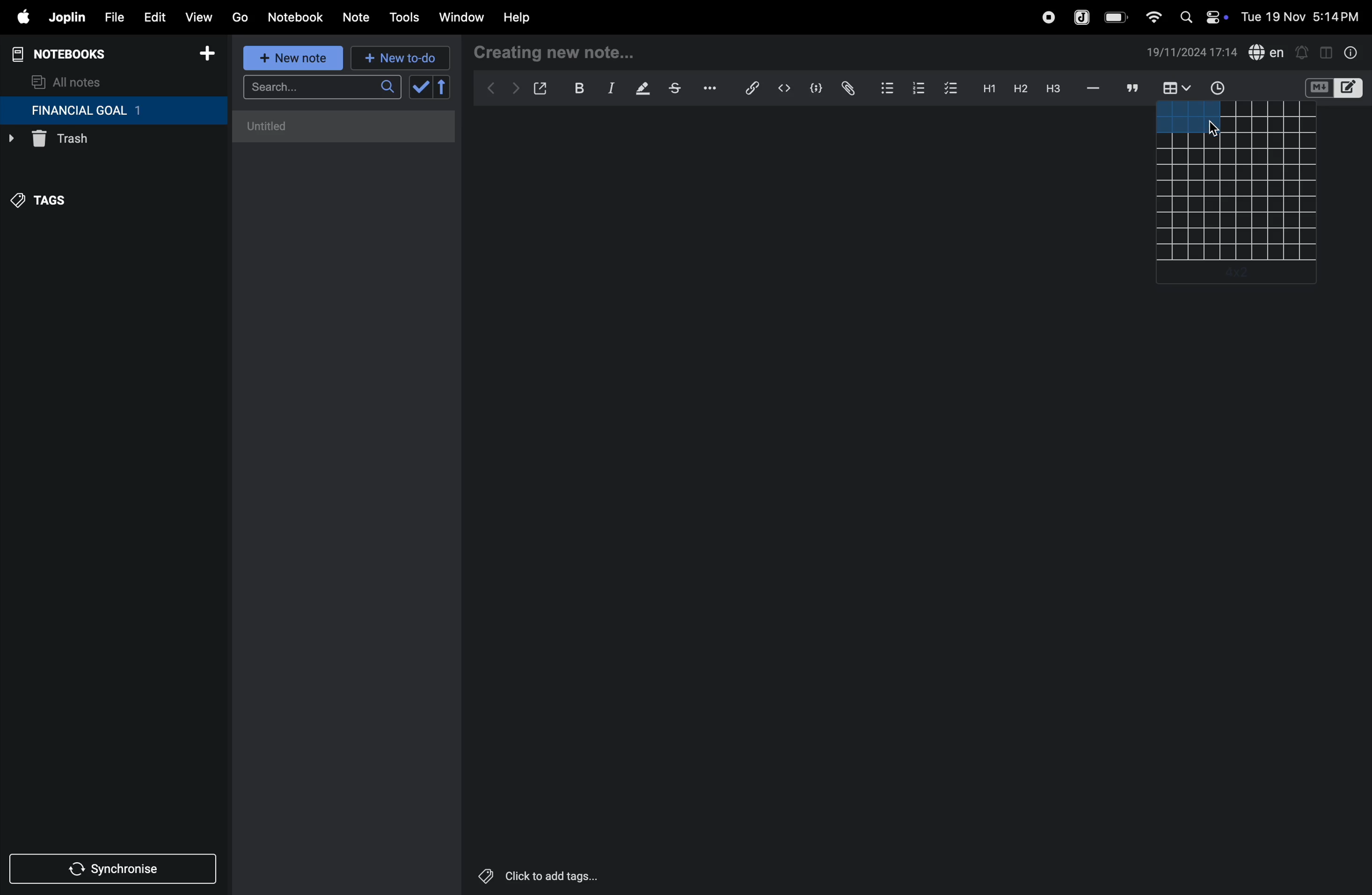  I want to click on forward, so click(512, 91).